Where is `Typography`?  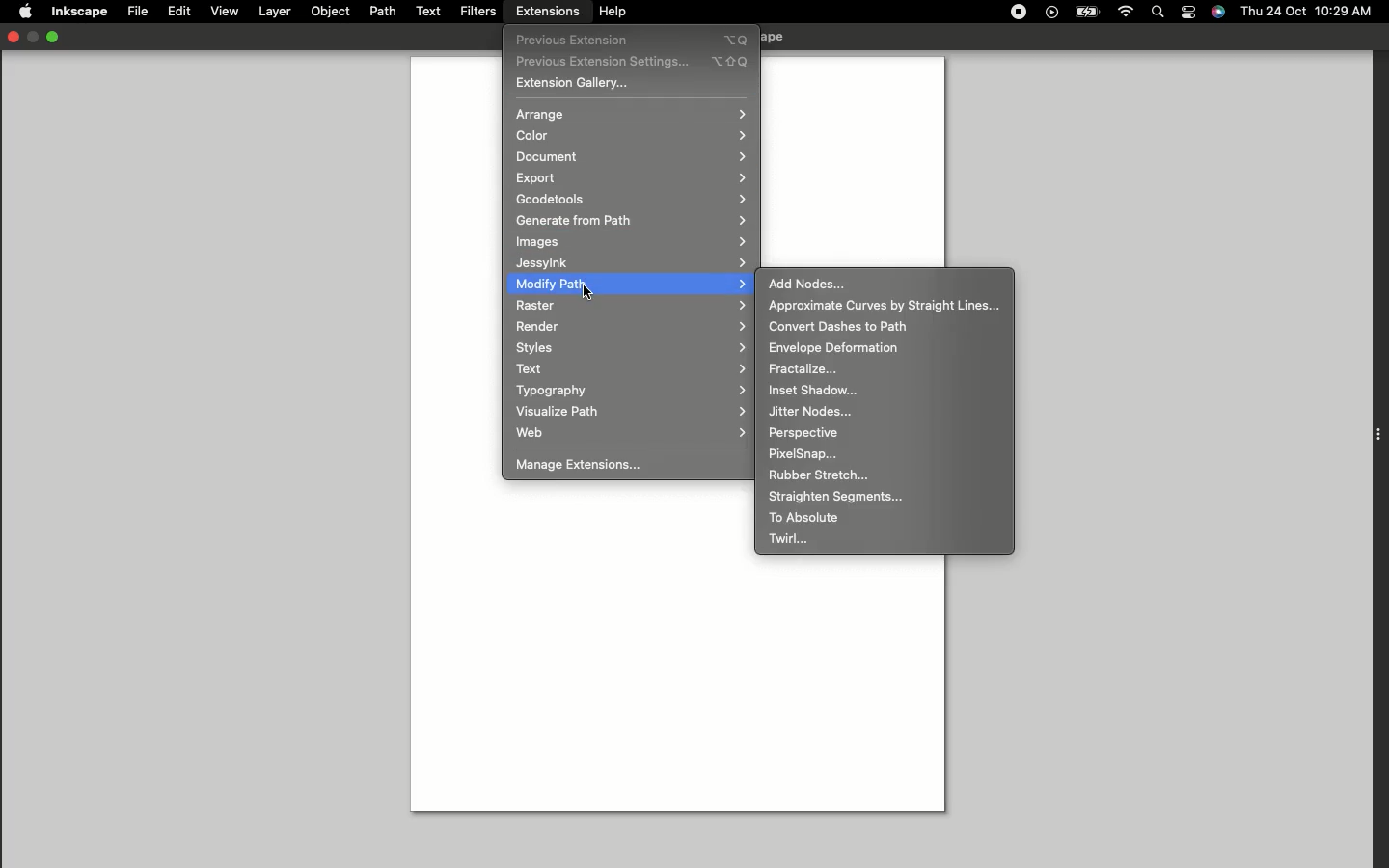
Typography is located at coordinates (635, 390).